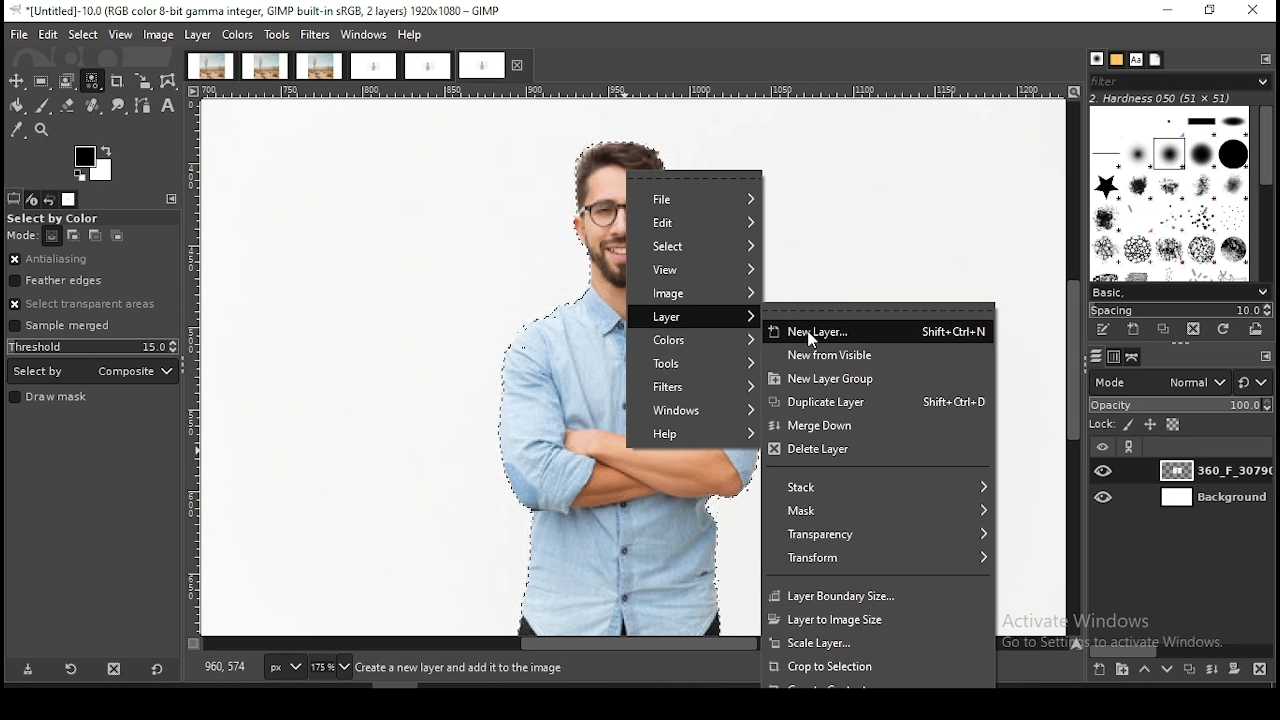 The width and height of the screenshot is (1280, 720). Describe the element at coordinates (119, 106) in the screenshot. I see `smudge tool` at that location.